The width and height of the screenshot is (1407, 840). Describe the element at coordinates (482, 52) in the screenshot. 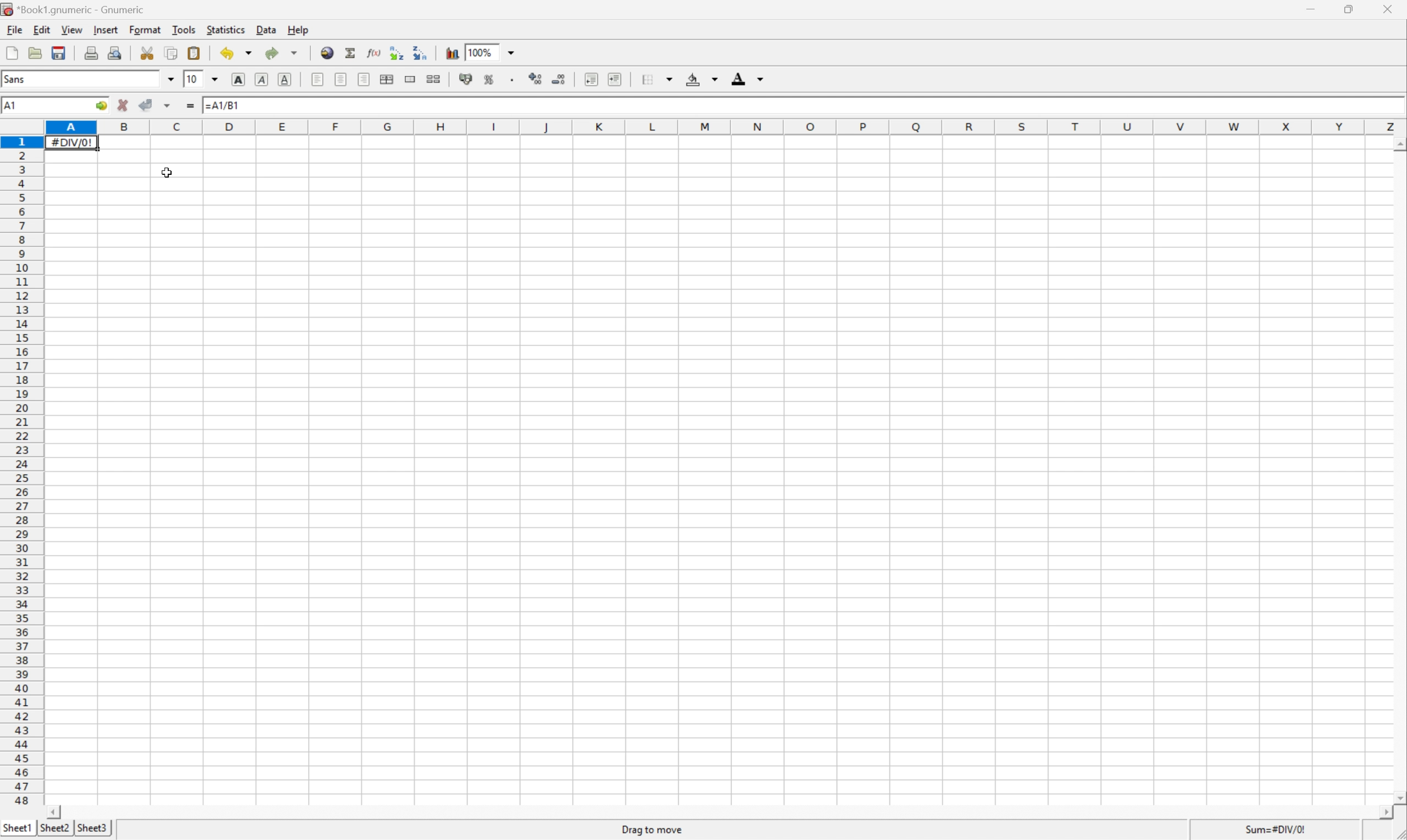

I see `100%` at that location.